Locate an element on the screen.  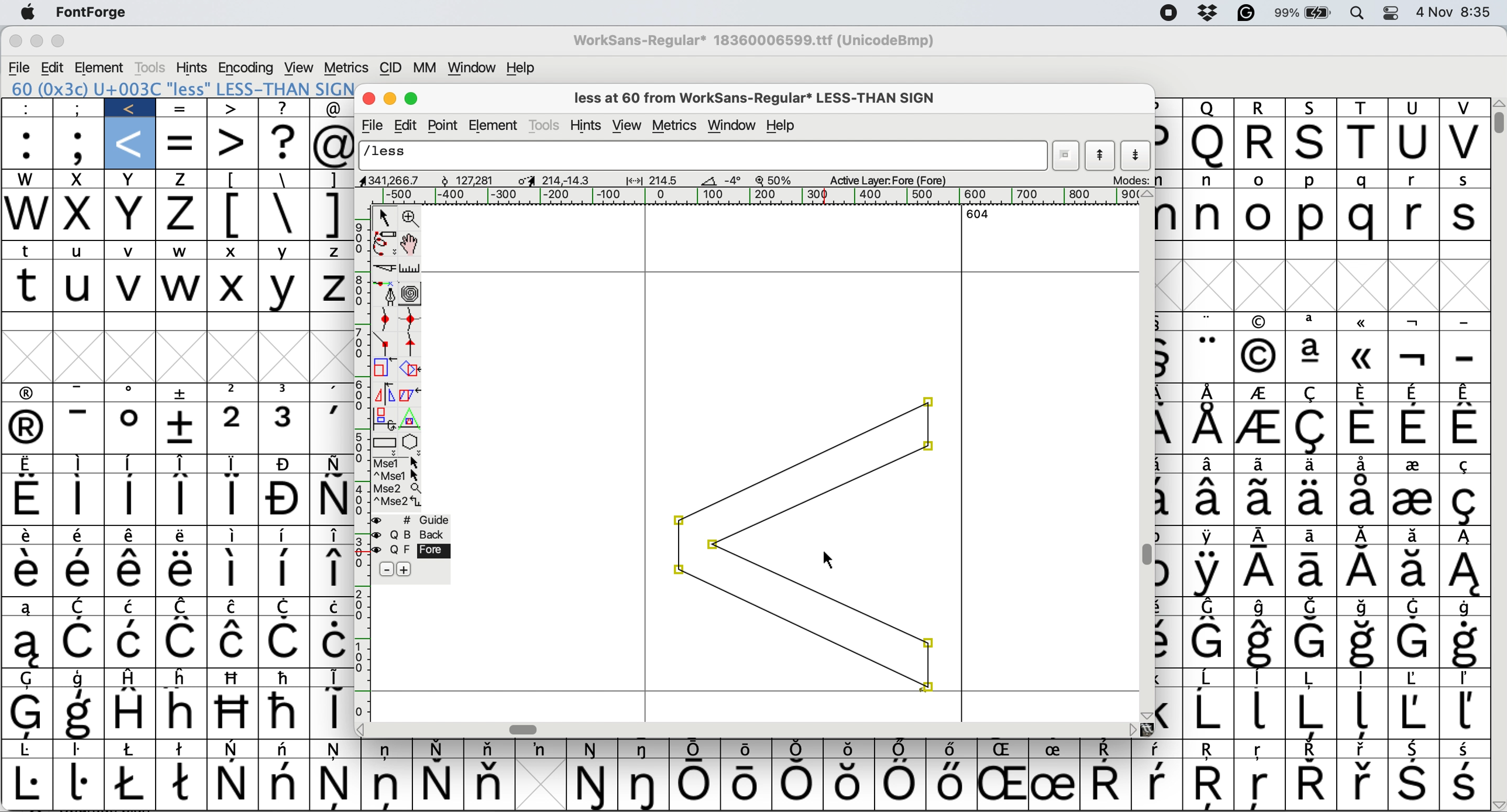
metrics is located at coordinates (346, 68).